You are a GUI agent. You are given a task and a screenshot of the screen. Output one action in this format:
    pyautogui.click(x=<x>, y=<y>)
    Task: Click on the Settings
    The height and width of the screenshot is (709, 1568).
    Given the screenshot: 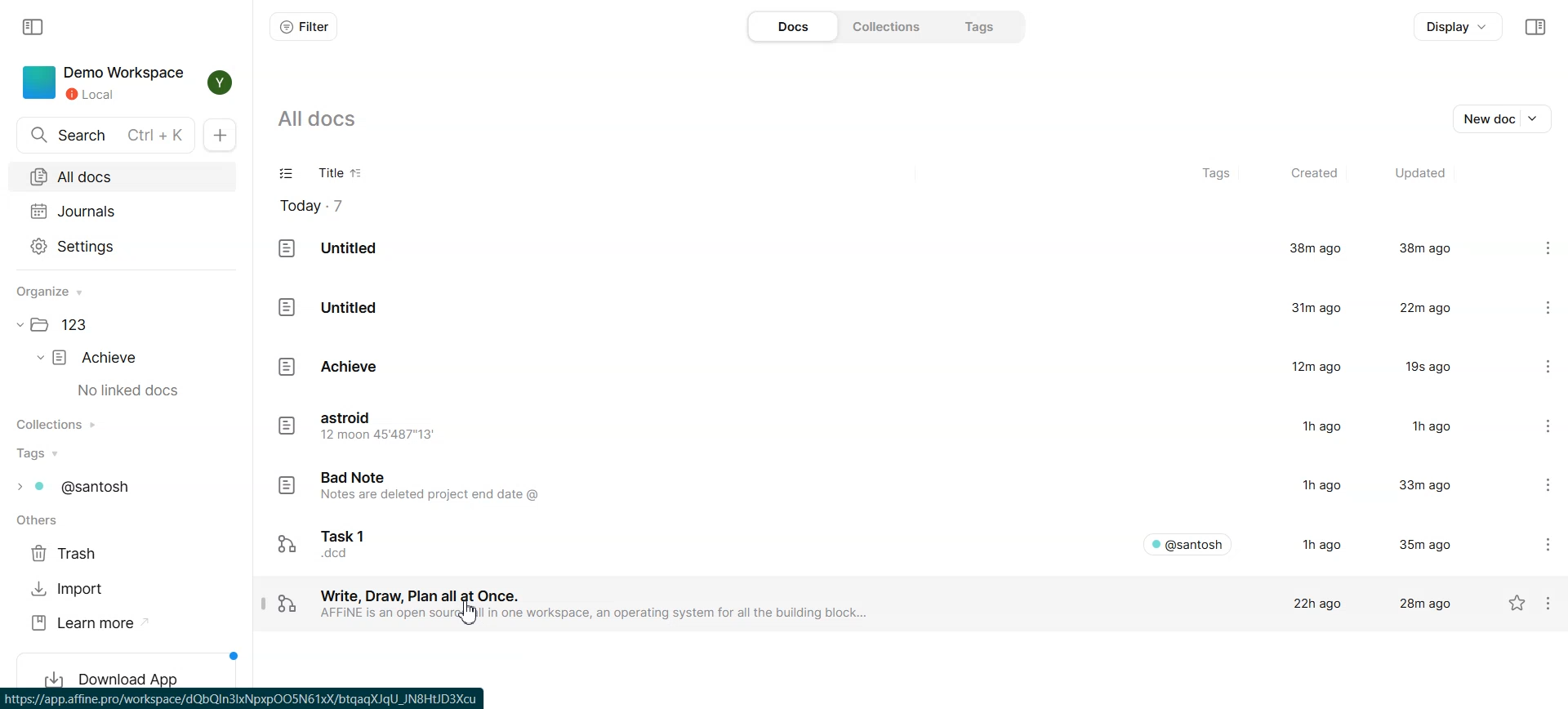 What is the action you would take?
    pyautogui.click(x=1535, y=427)
    